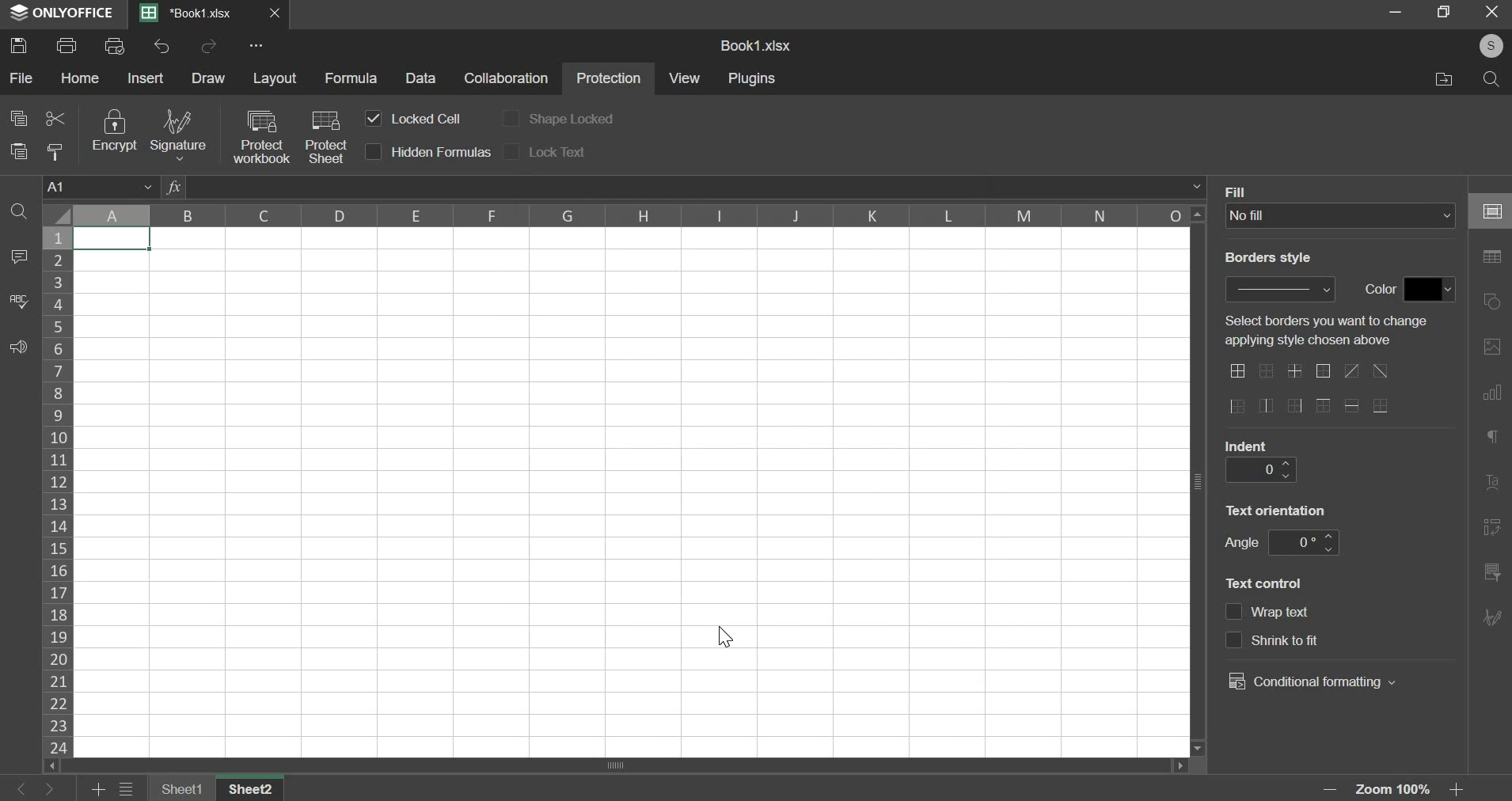 This screenshot has width=1512, height=801. What do you see at coordinates (81, 78) in the screenshot?
I see `home` at bounding box center [81, 78].